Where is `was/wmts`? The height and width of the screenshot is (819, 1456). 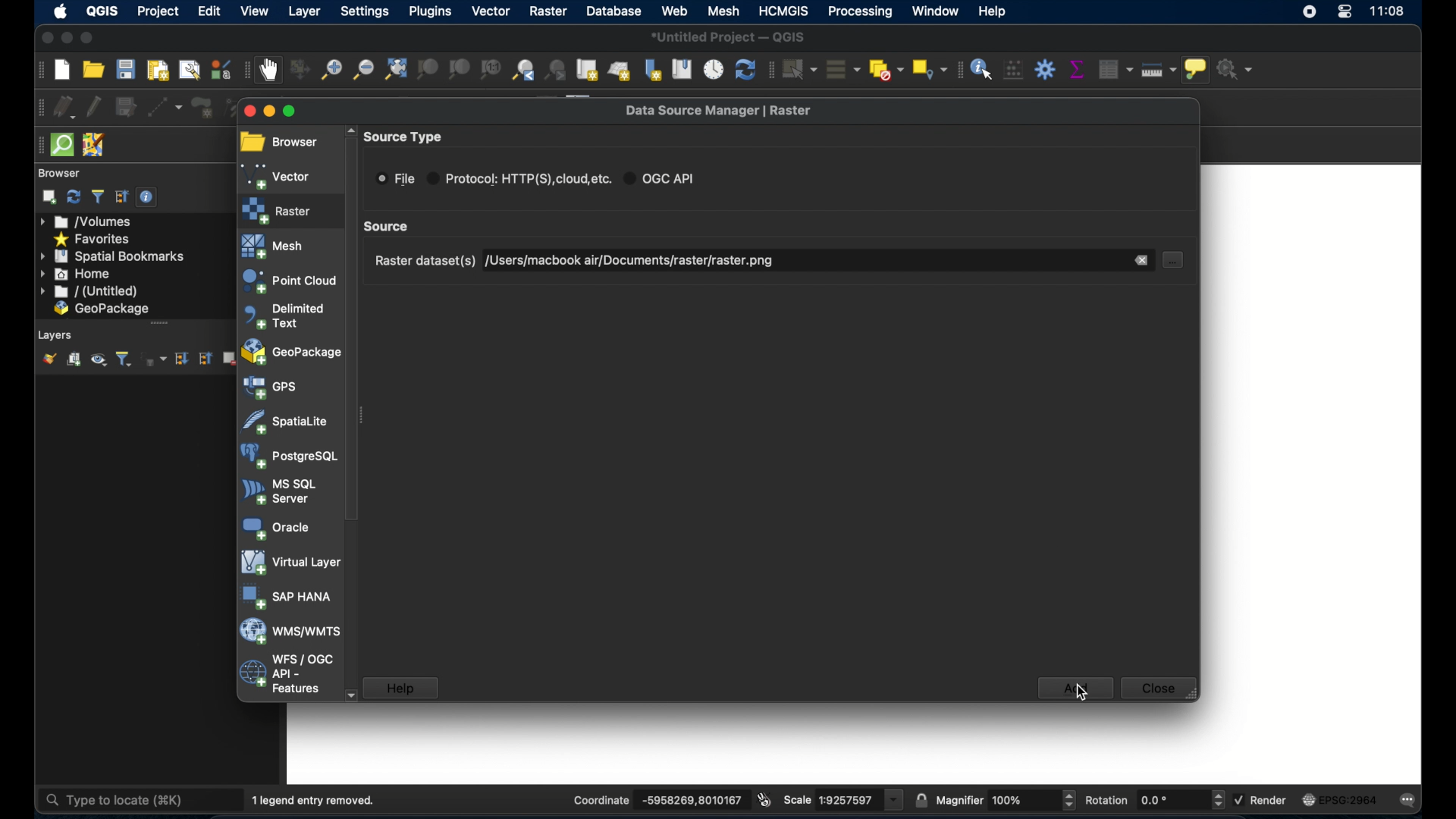
was/wmts is located at coordinates (292, 631).